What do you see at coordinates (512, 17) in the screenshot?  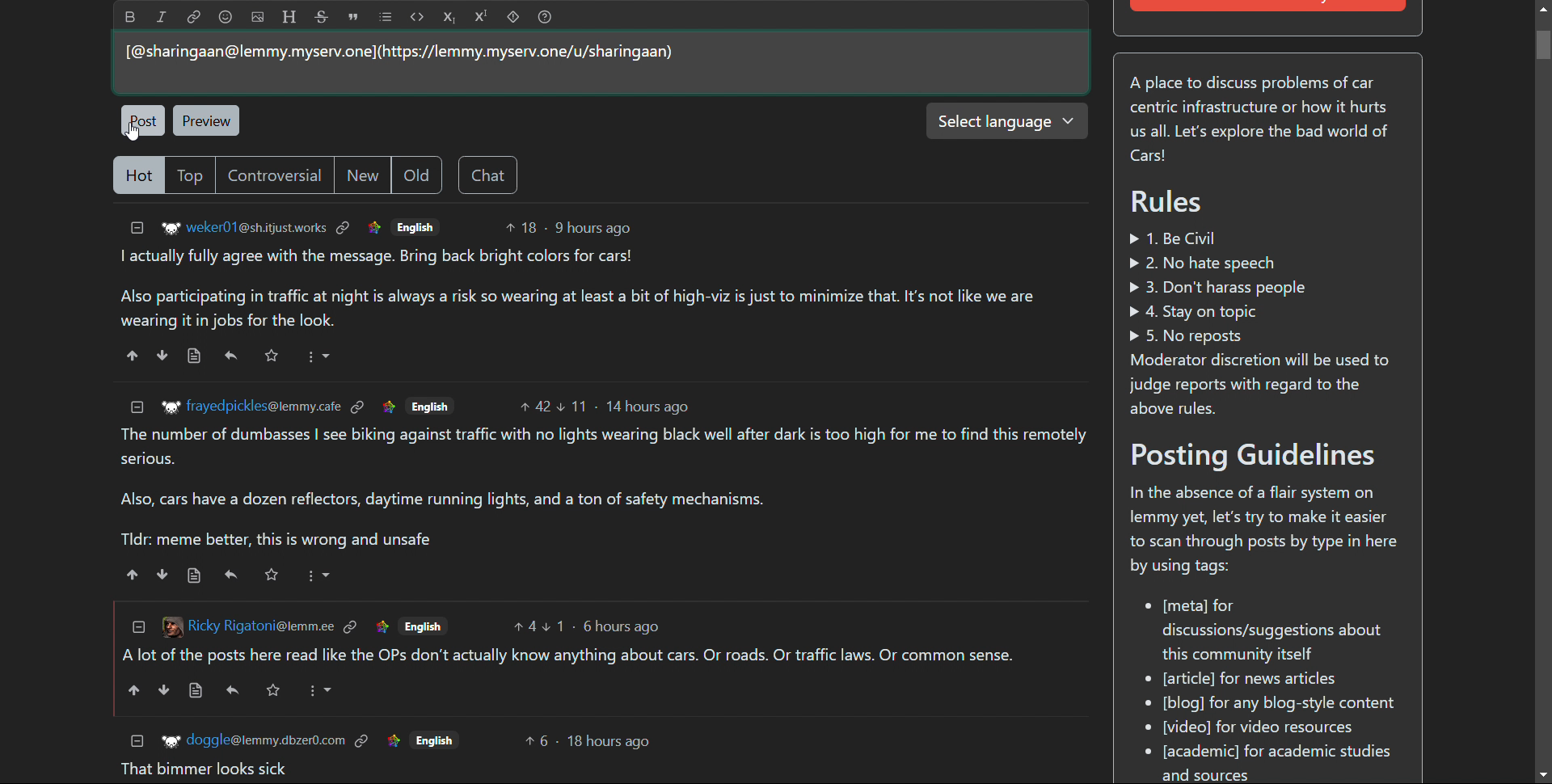 I see `spoiler` at bounding box center [512, 17].